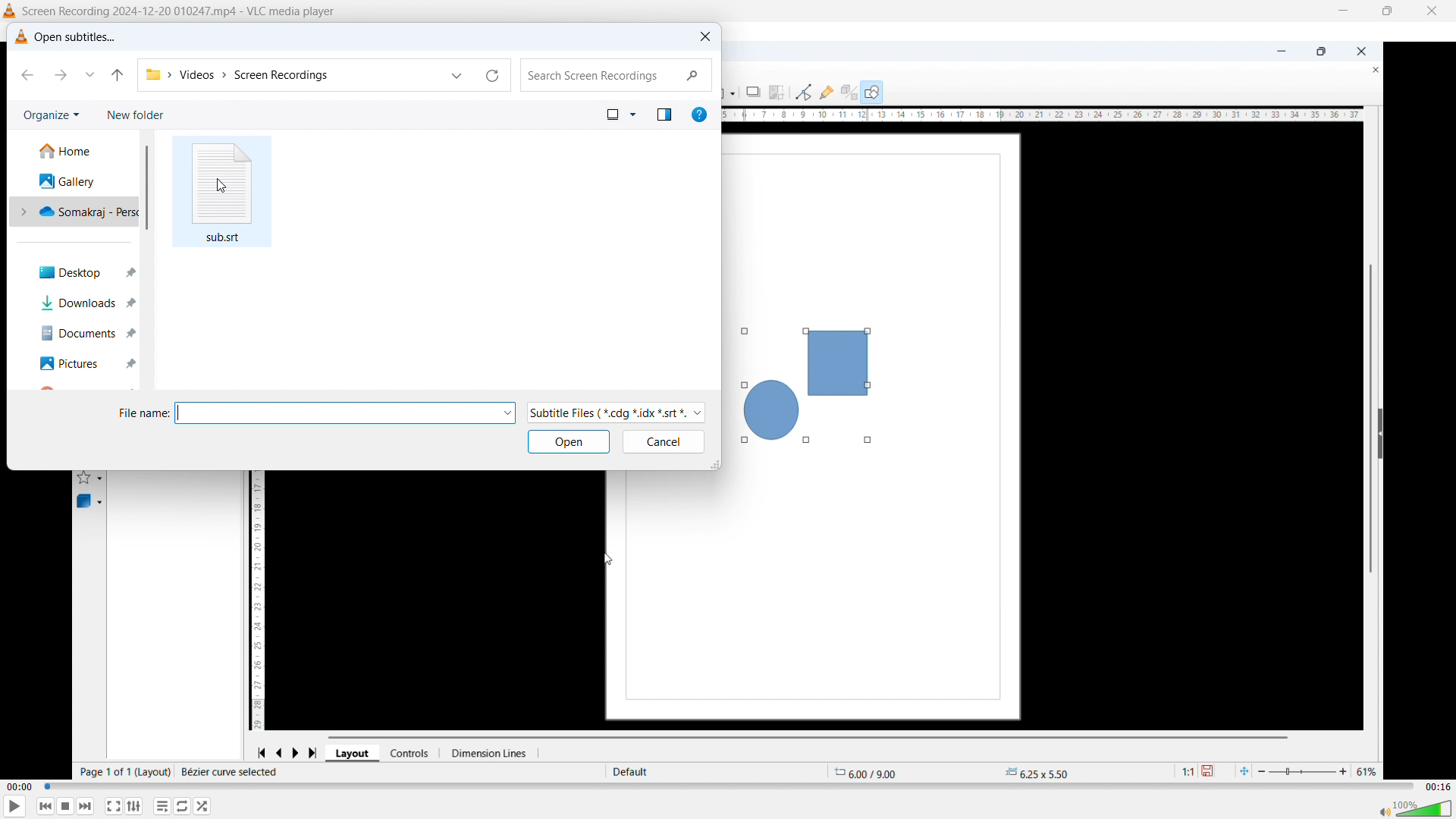  What do you see at coordinates (317, 751) in the screenshot?
I see `last page` at bounding box center [317, 751].